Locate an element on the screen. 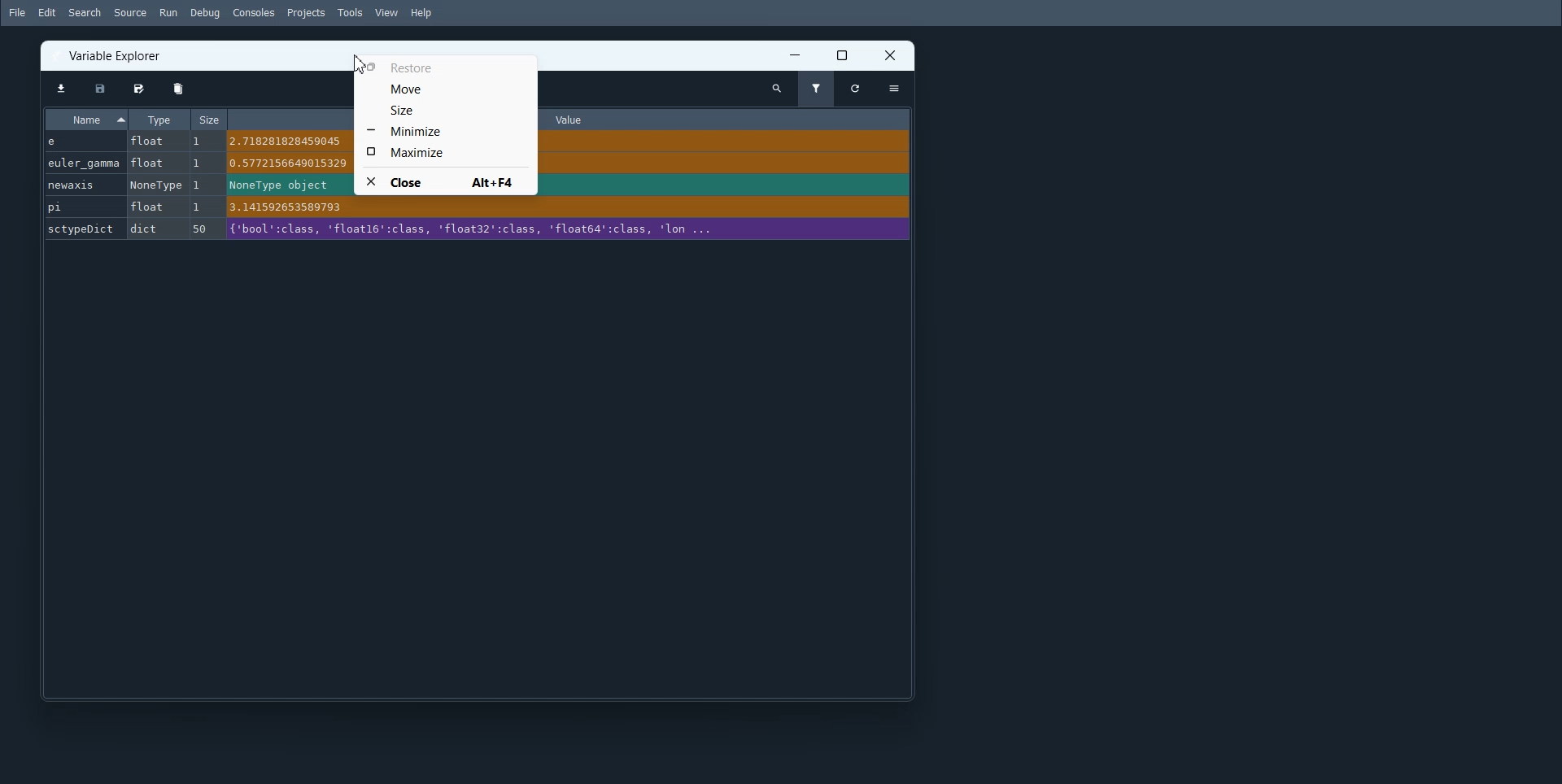  Cursor is located at coordinates (359, 62).